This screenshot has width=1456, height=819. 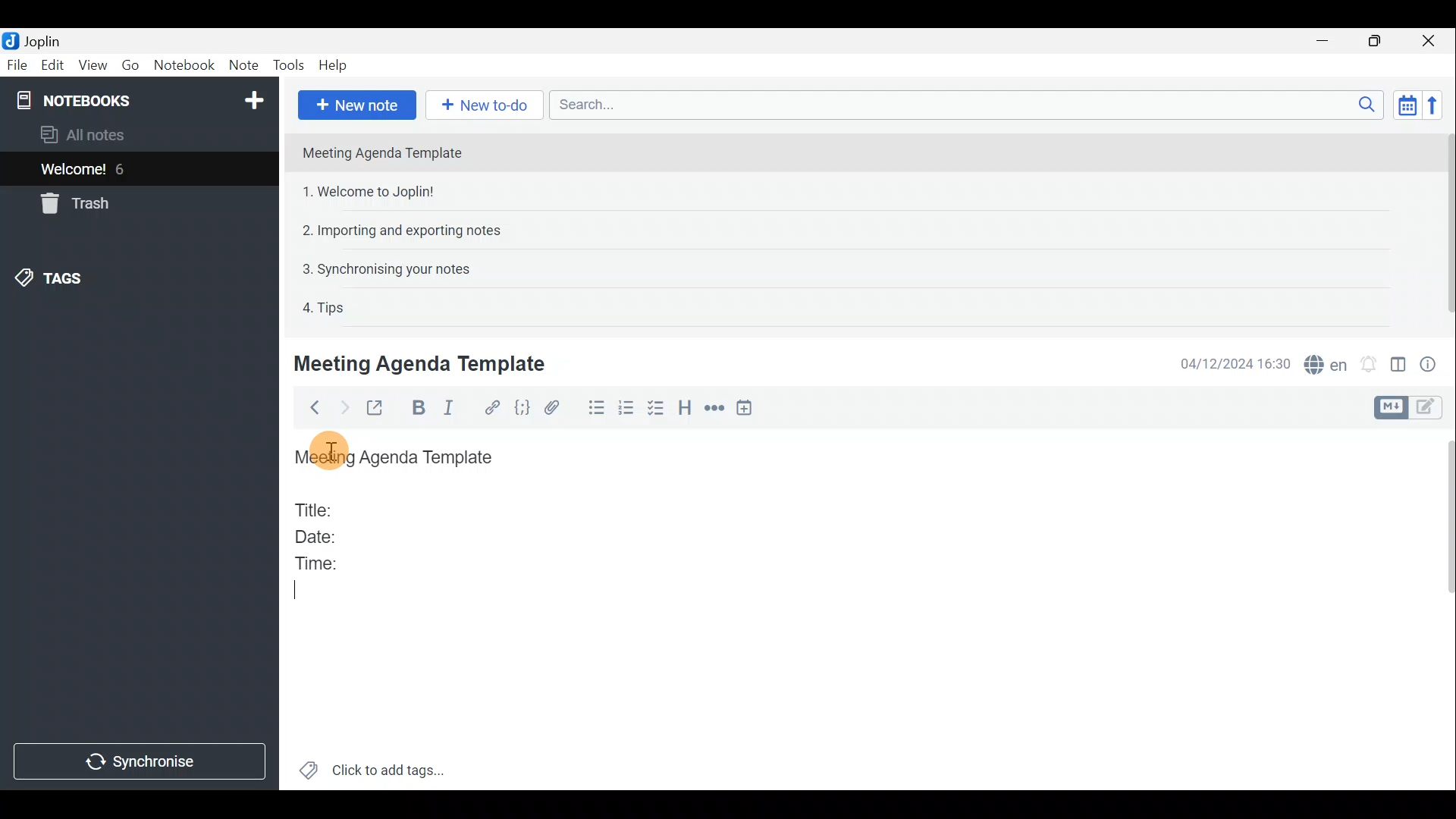 I want to click on Set alarm, so click(x=1370, y=364).